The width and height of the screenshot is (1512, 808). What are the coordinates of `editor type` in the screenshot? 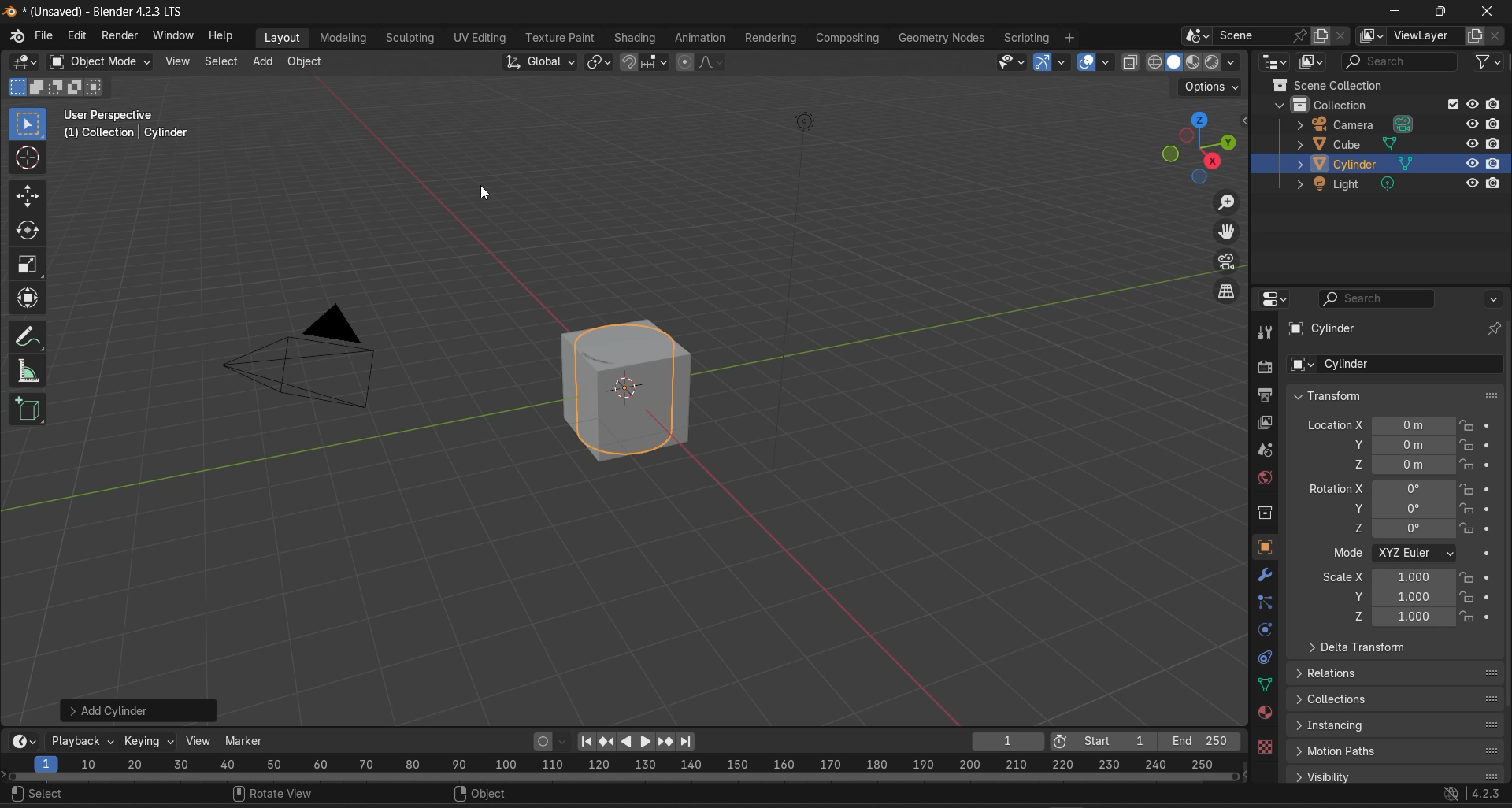 It's located at (19, 61).